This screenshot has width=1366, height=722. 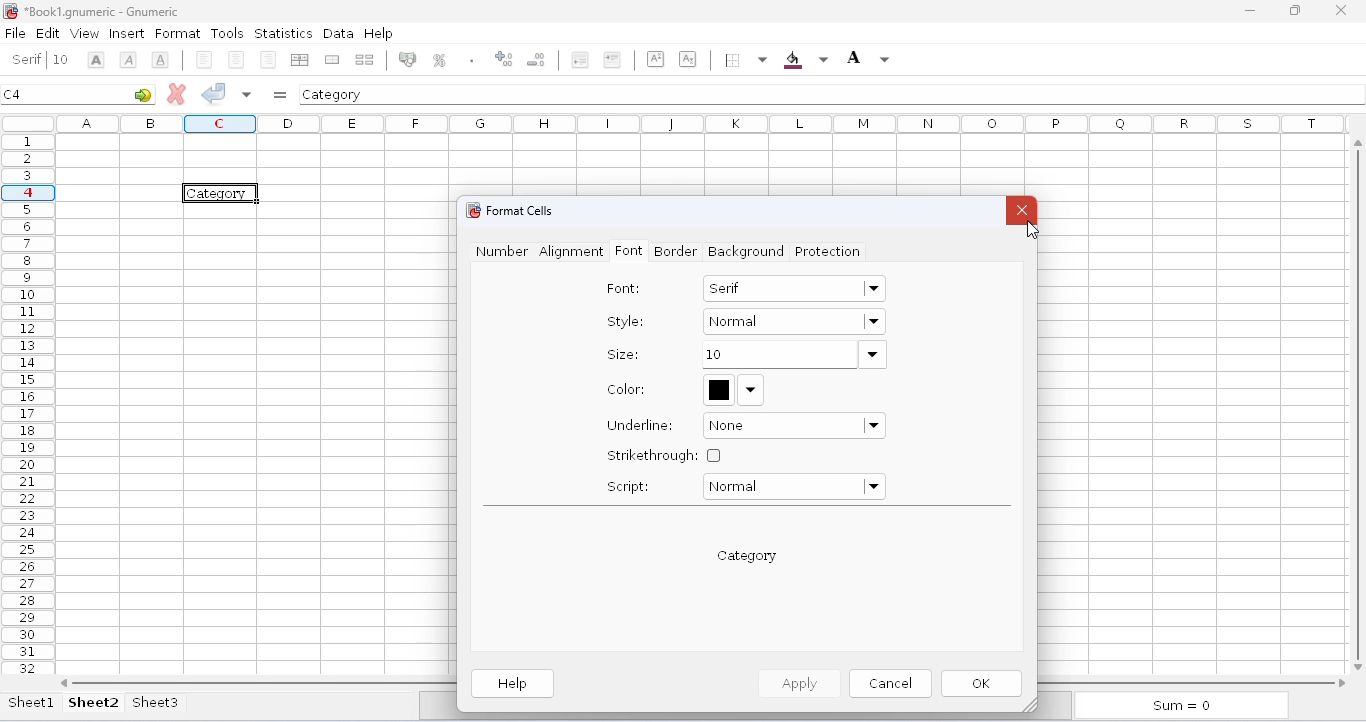 I want to click on underline:, so click(x=641, y=425).